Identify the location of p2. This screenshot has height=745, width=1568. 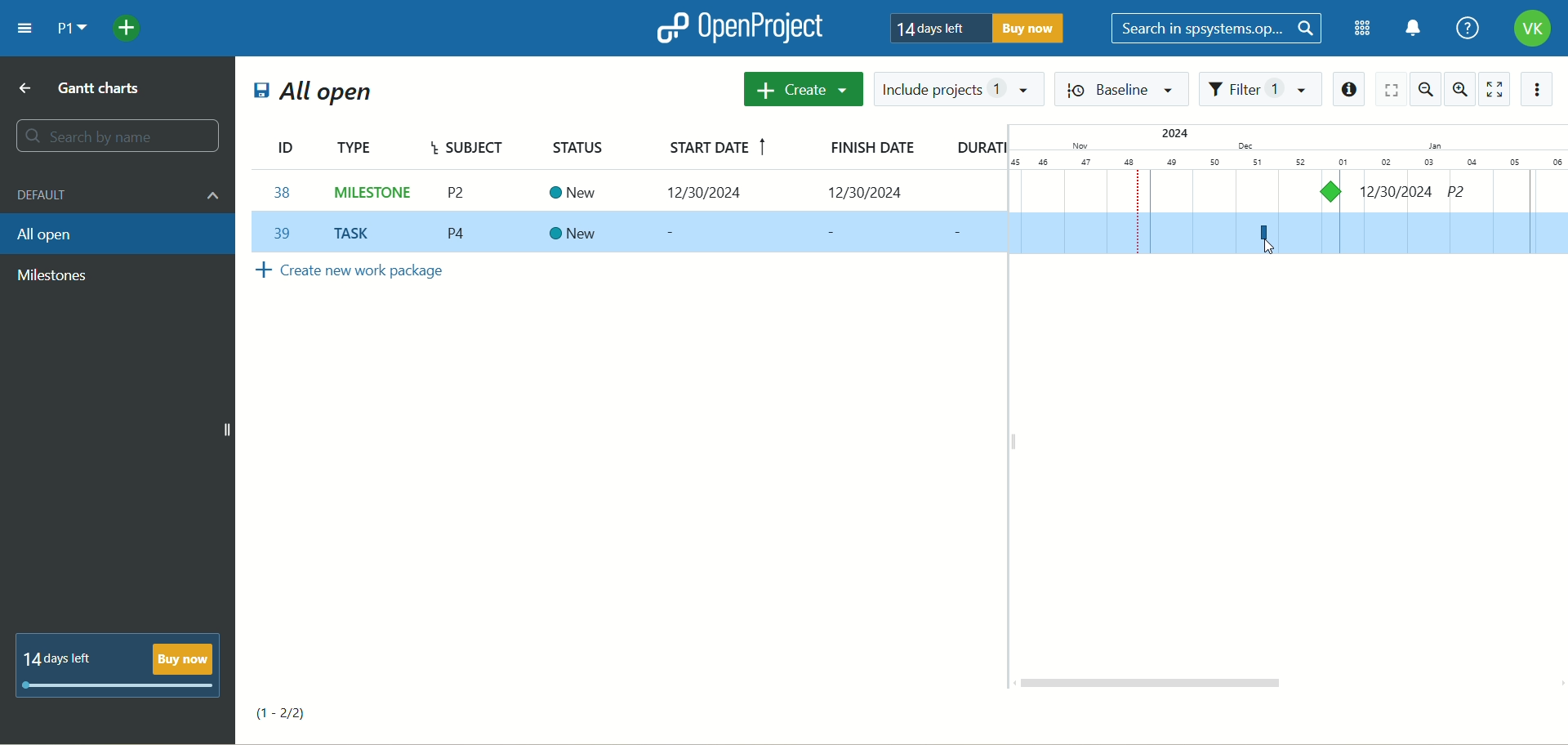
(1472, 194).